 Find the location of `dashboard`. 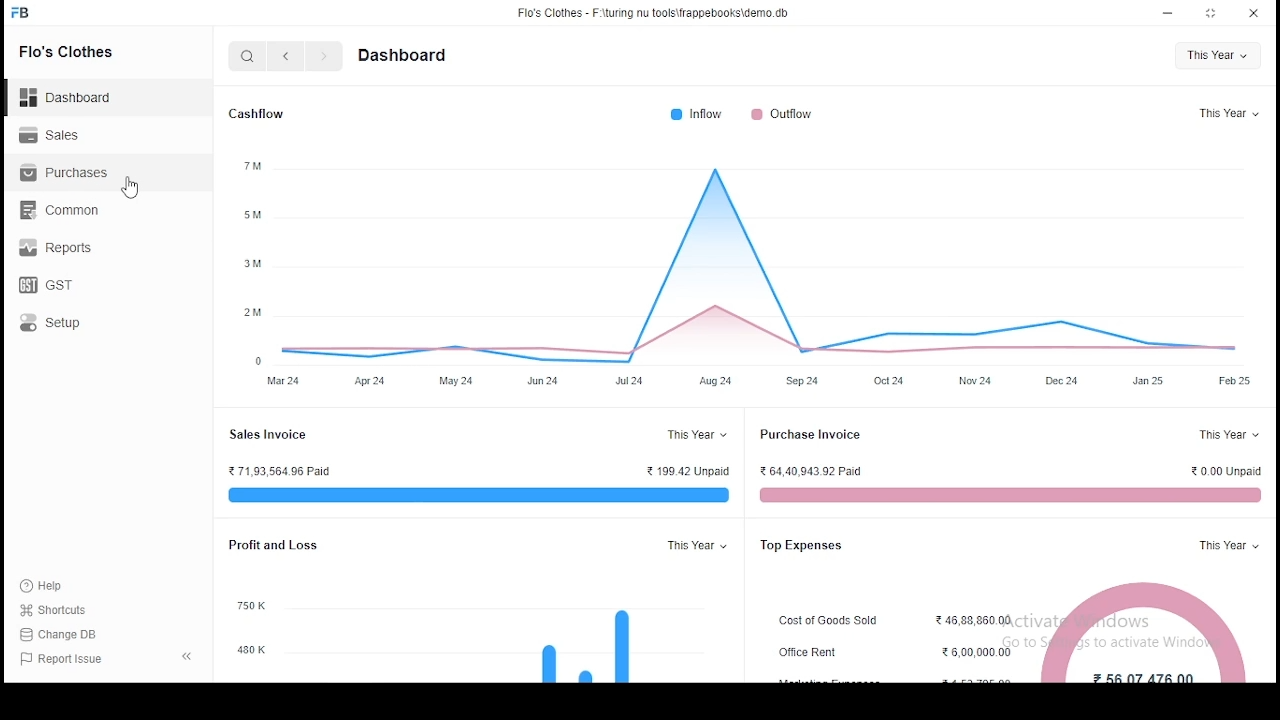

dashboard is located at coordinates (404, 55).